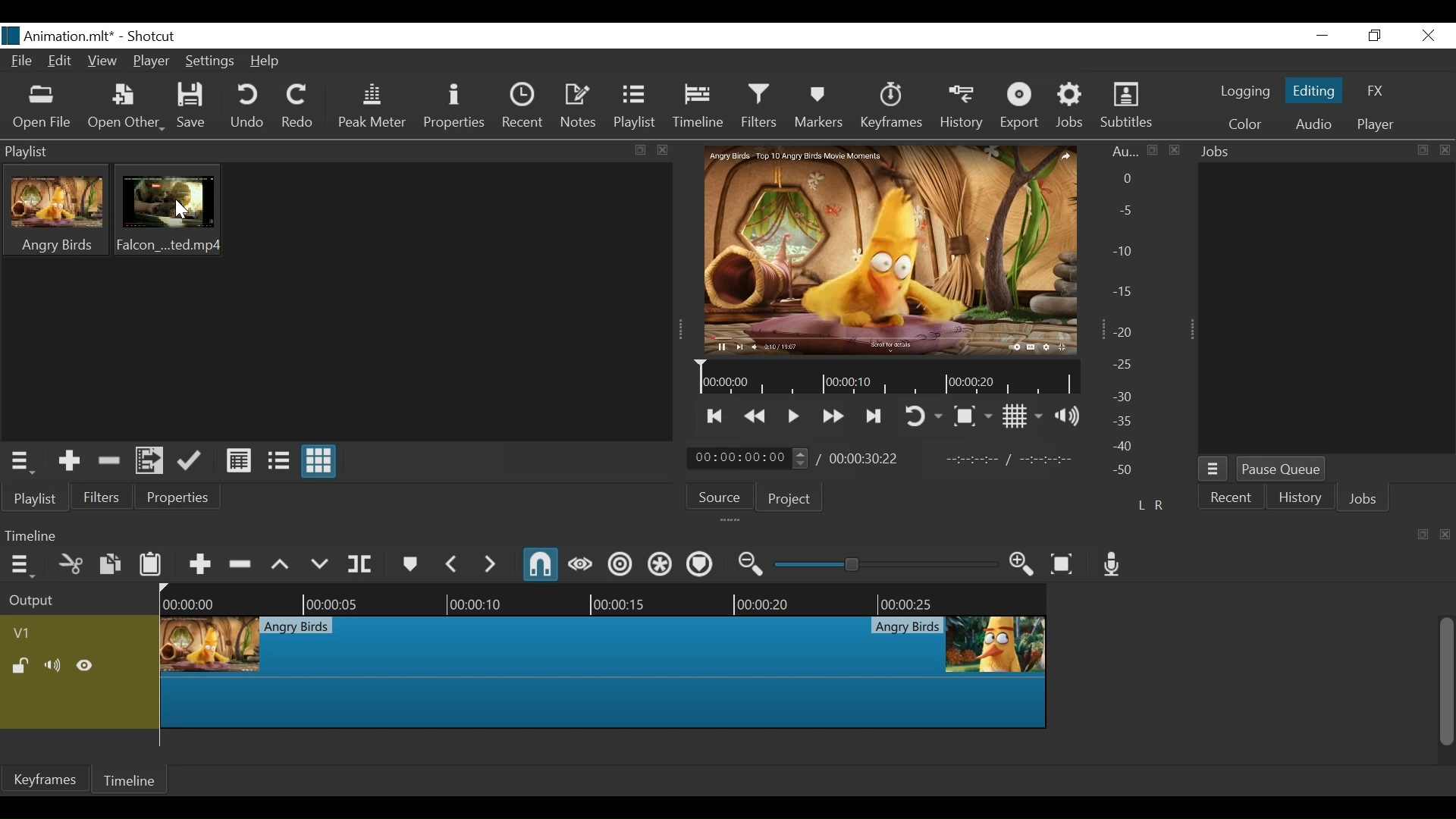  What do you see at coordinates (1326, 152) in the screenshot?
I see `Jobs Panel` at bounding box center [1326, 152].